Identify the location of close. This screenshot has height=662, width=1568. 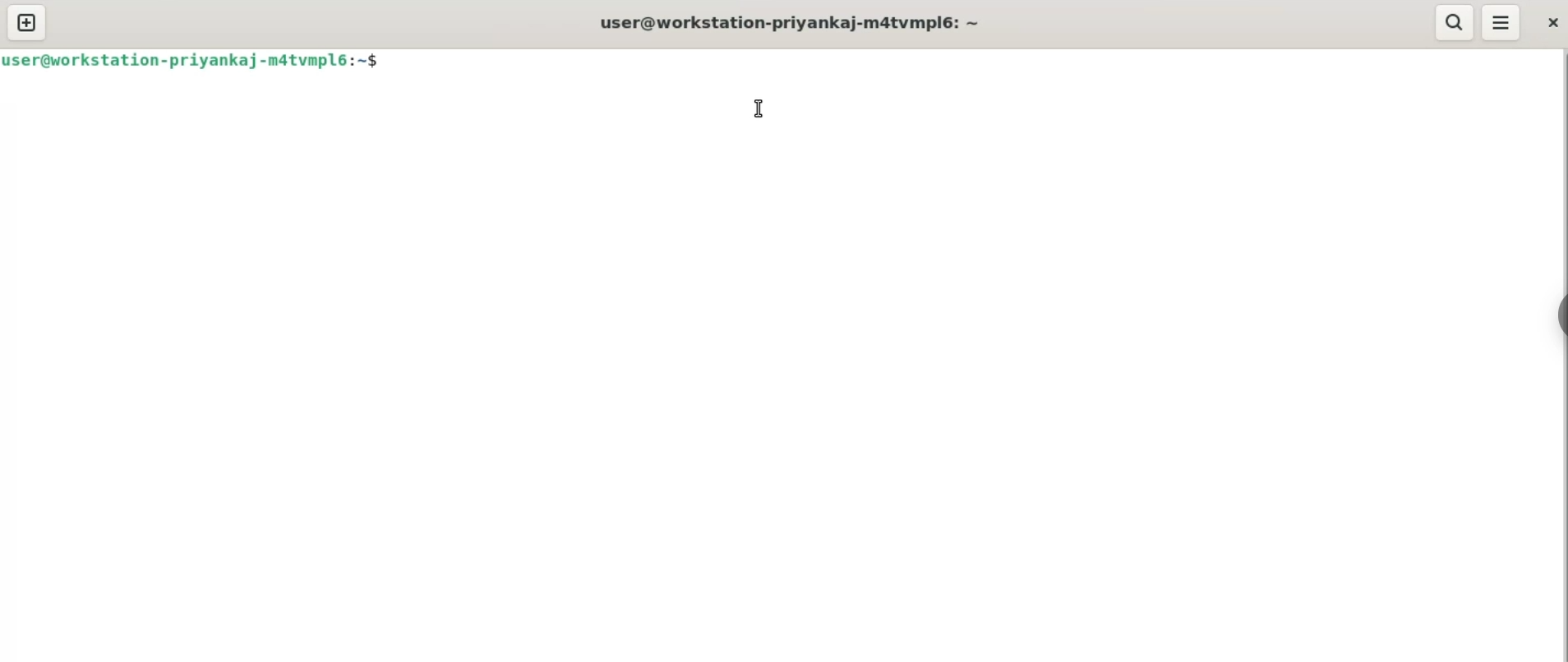
(1550, 21).